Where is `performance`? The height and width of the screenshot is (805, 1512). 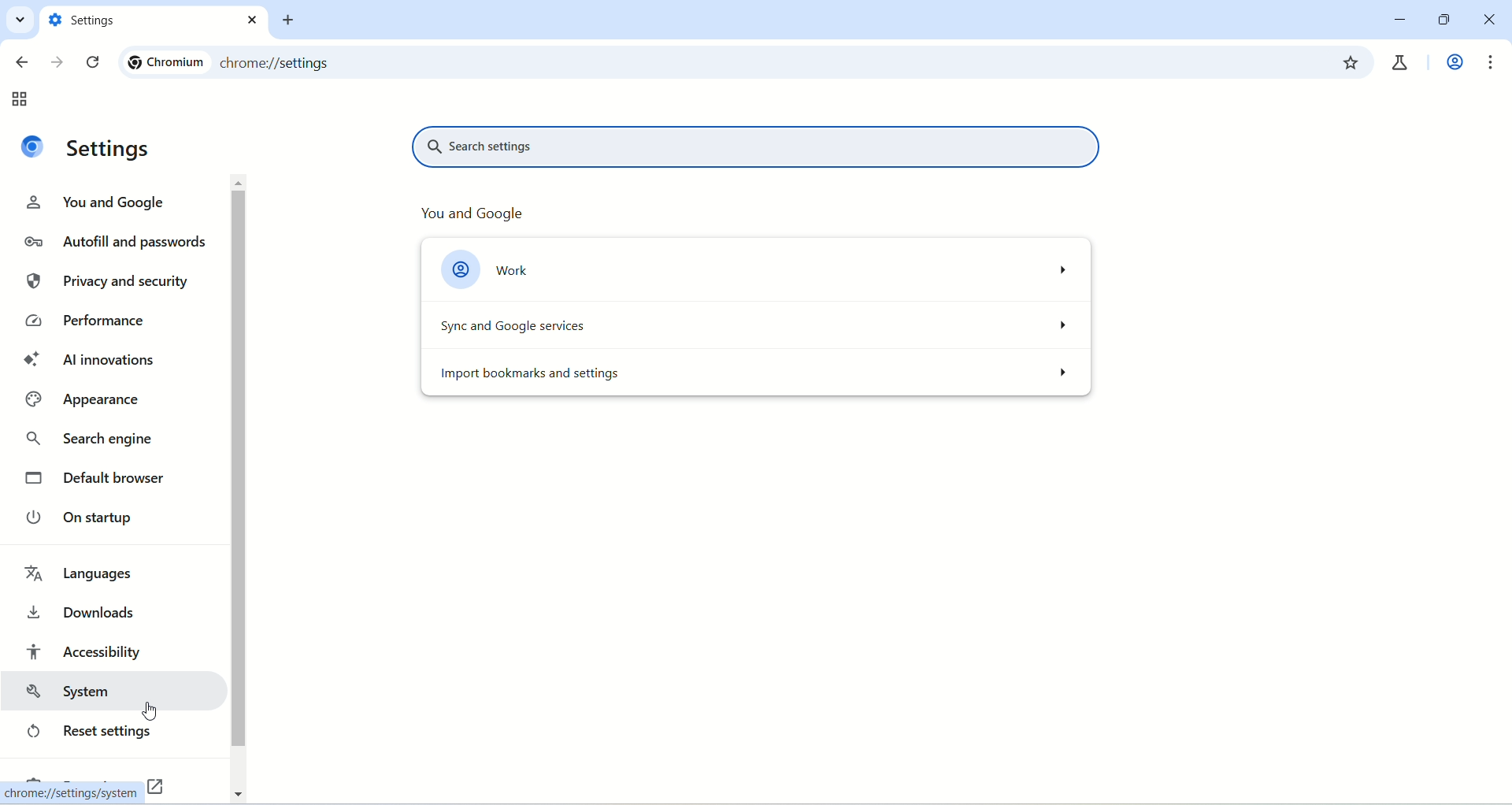
performance is located at coordinates (83, 322).